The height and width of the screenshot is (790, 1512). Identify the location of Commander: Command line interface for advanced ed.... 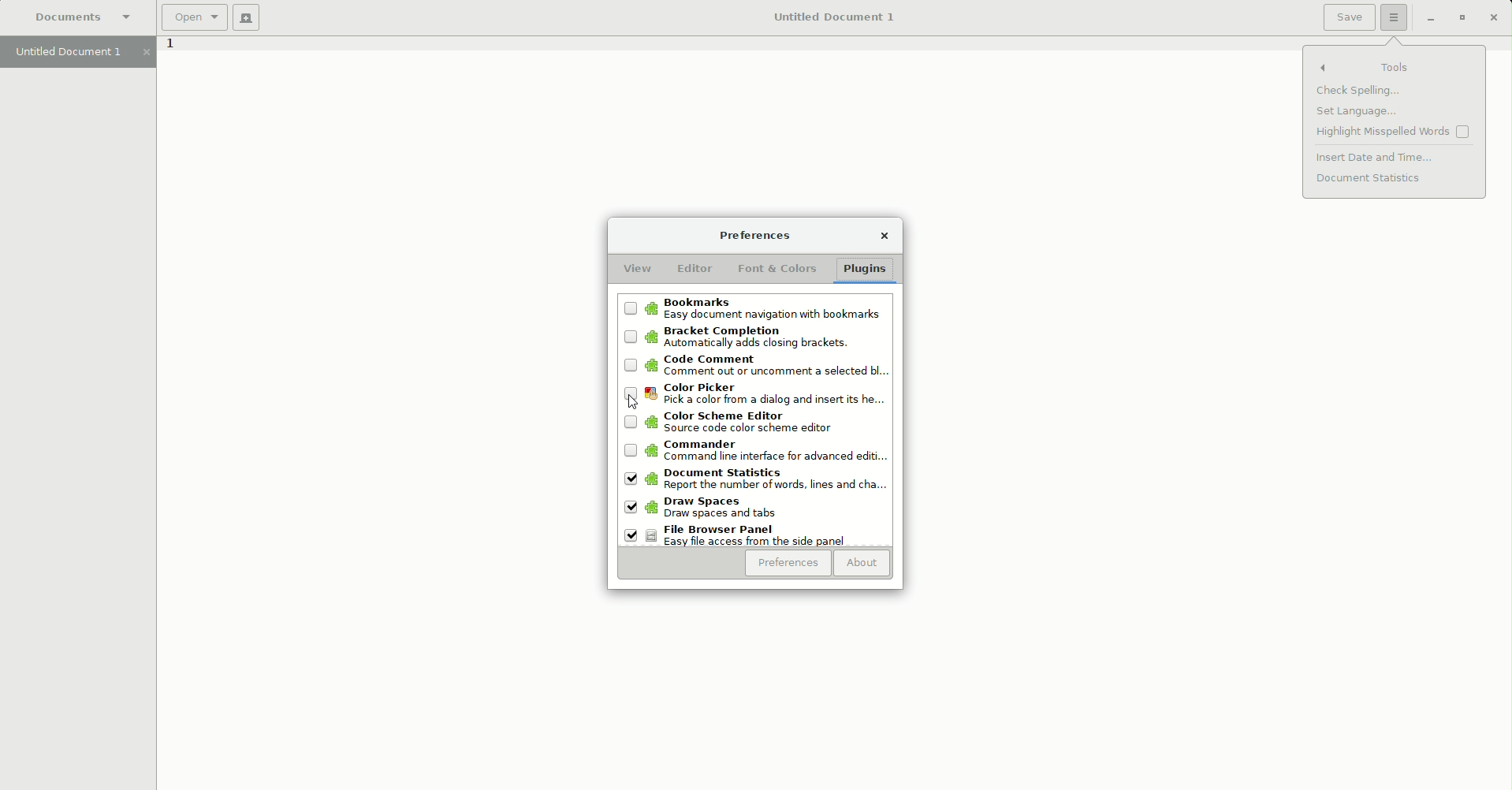
(755, 453).